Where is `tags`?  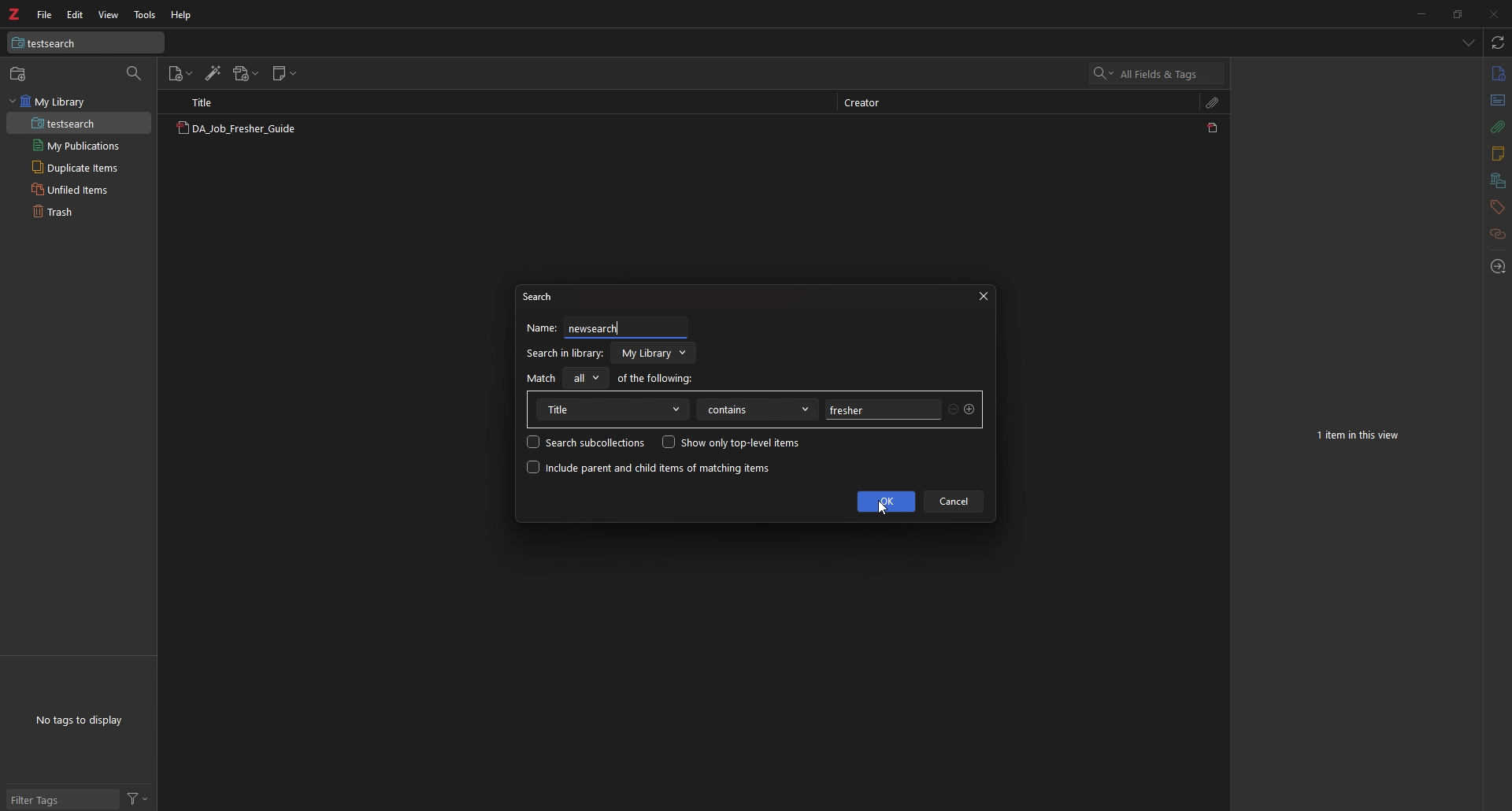 tags is located at coordinates (1497, 207).